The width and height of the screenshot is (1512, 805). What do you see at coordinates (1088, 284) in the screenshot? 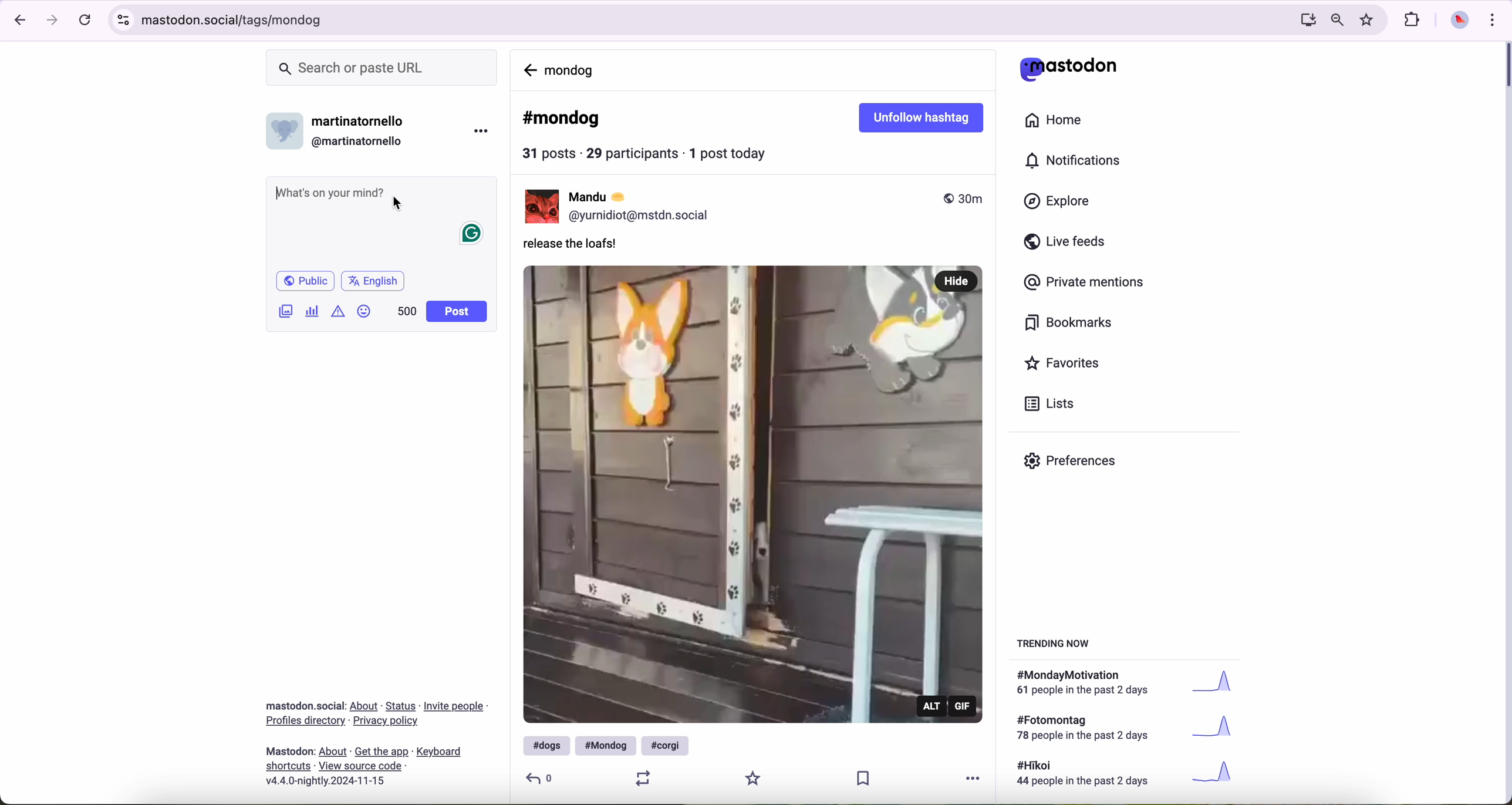
I see `private mentions` at bounding box center [1088, 284].